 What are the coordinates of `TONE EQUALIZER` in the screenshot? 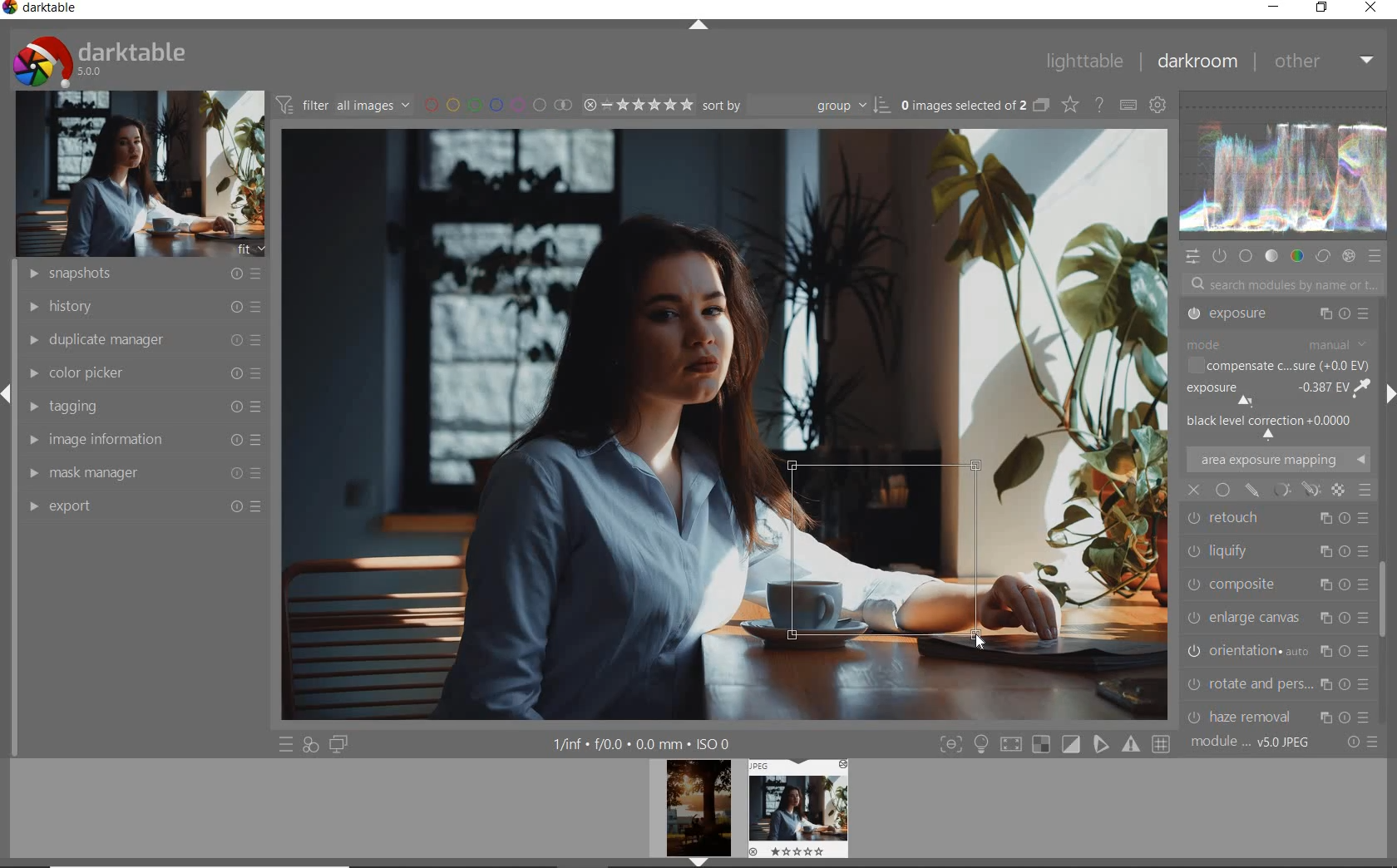 It's located at (1276, 353).